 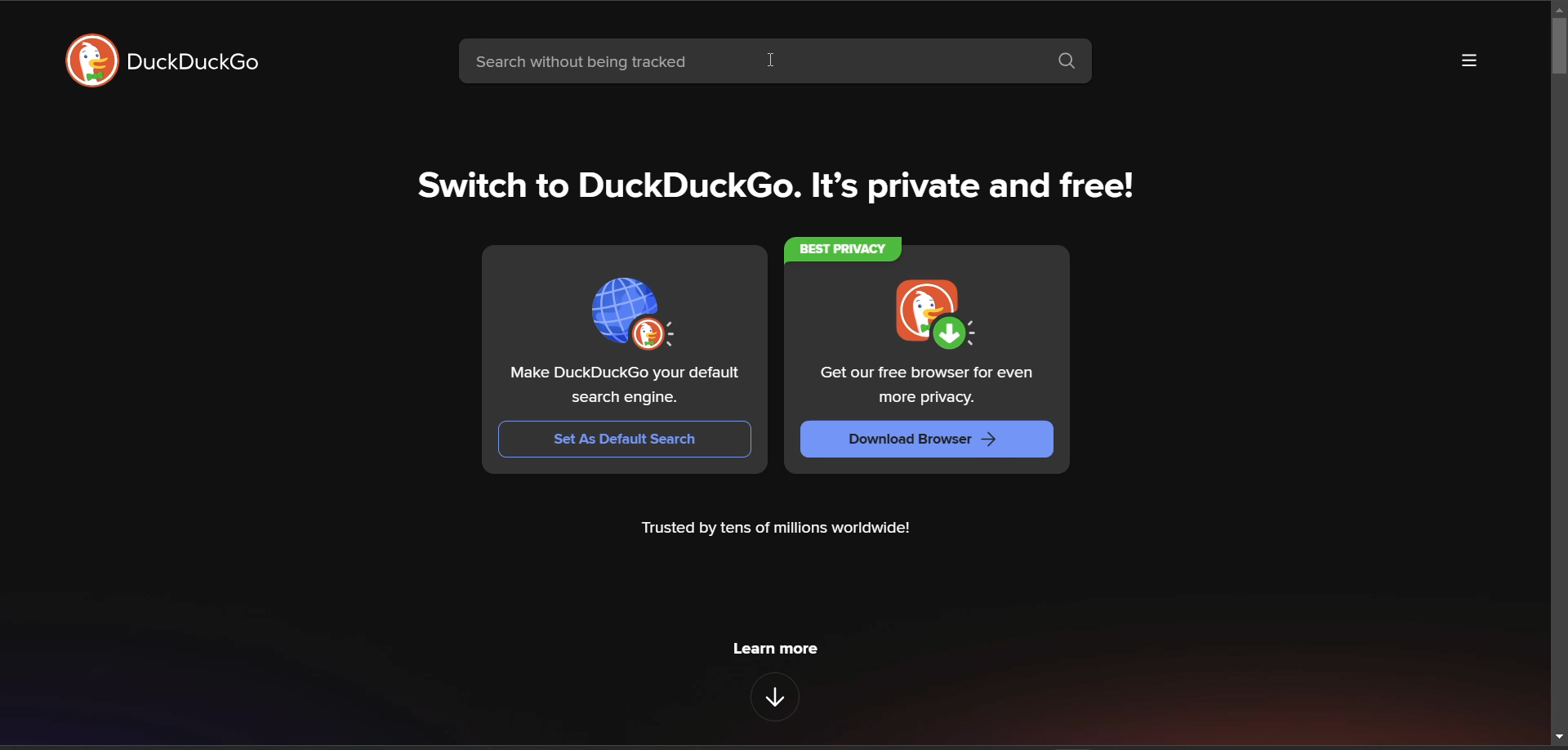 I want to click on Trusted by tens of millions worldwide!, so click(x=778, y=531).